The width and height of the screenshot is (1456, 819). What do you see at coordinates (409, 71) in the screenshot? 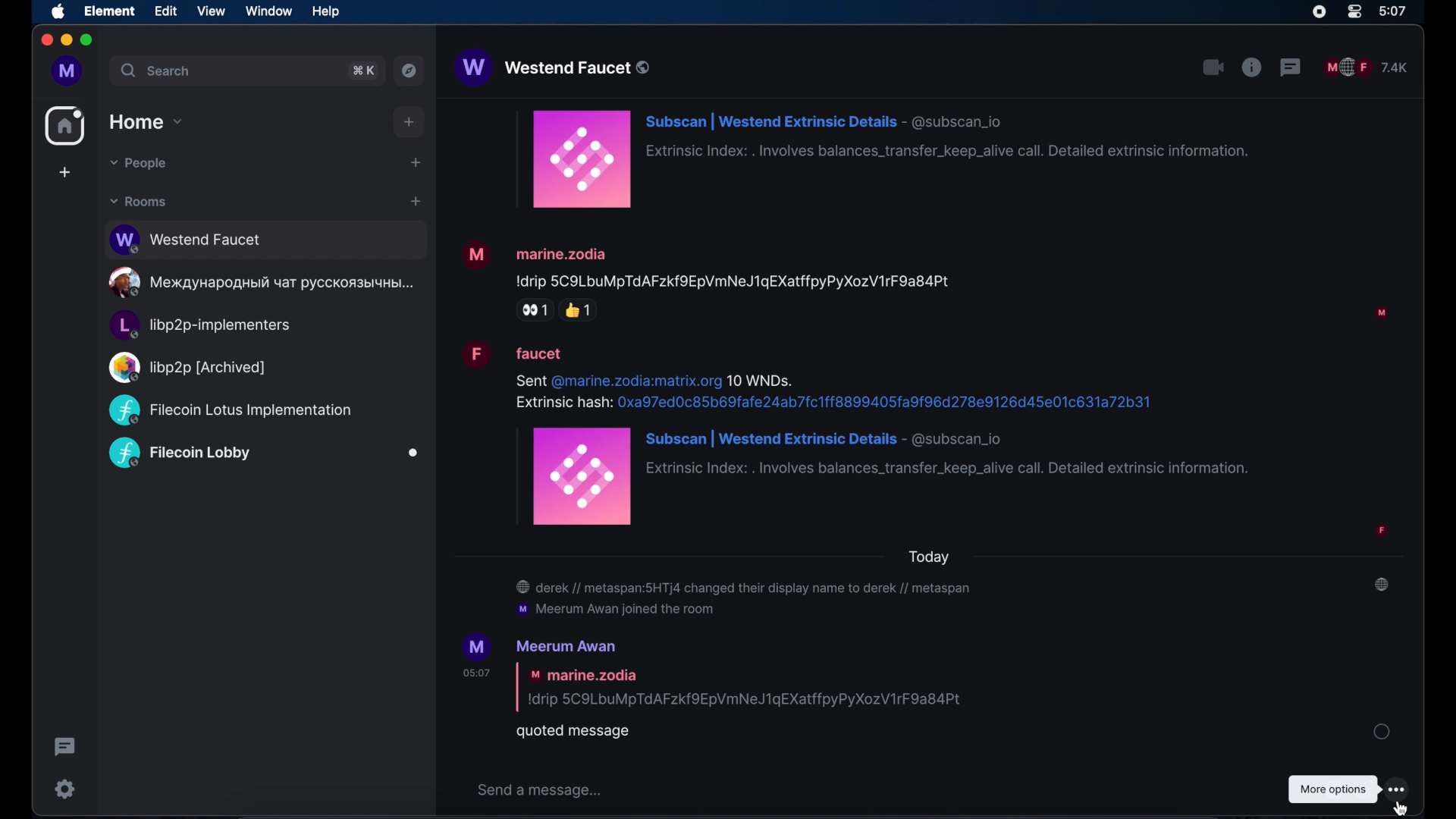
I see `explore public rooms` at bounding box center [409, 71].